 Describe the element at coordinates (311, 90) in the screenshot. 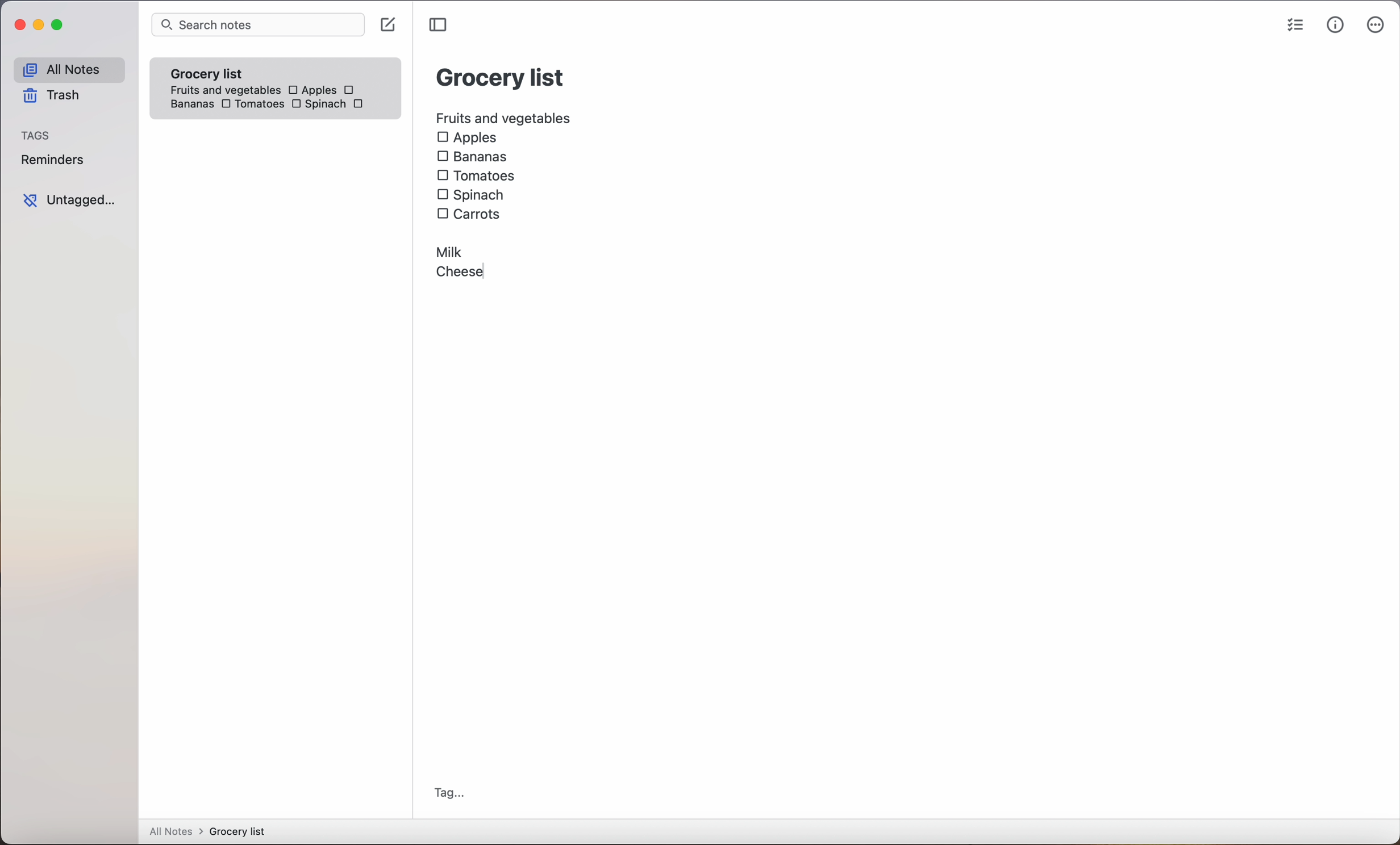

I see `Apples checkbox` at that location.